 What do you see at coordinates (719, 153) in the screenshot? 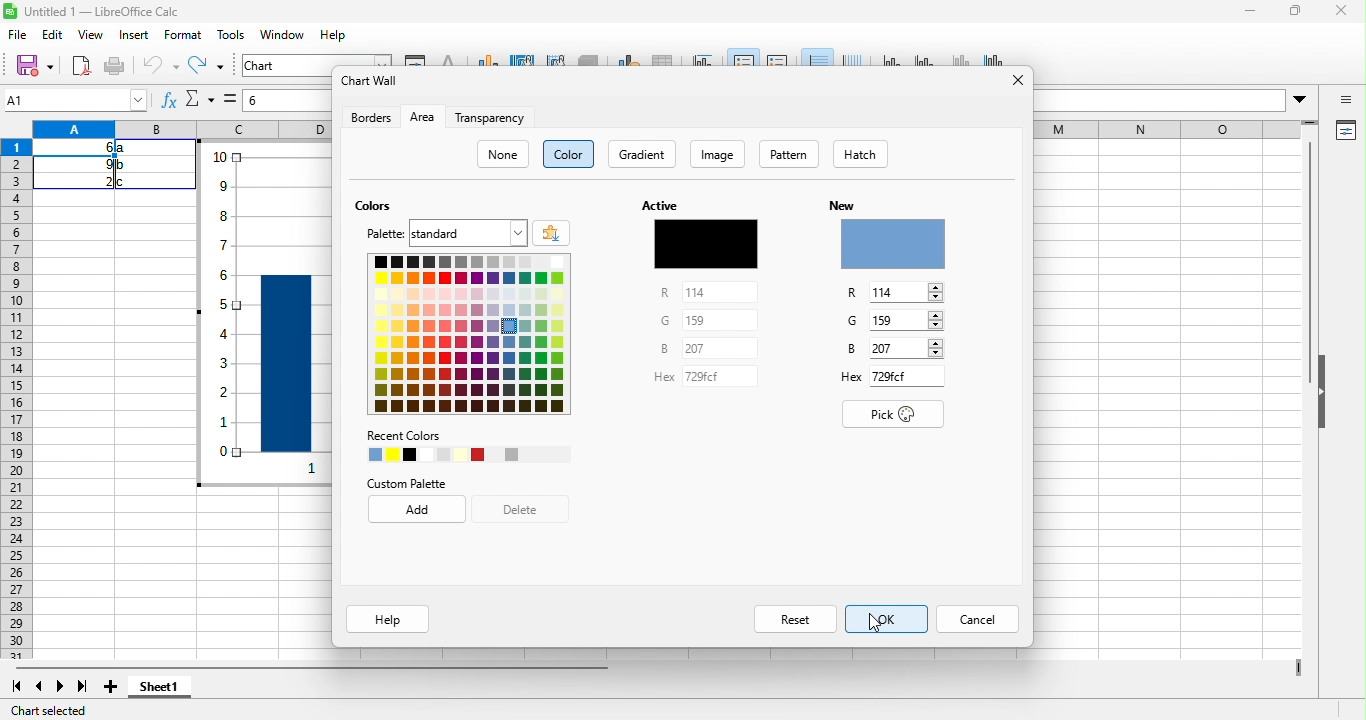
I see `image` at bounding box center [719, 153].